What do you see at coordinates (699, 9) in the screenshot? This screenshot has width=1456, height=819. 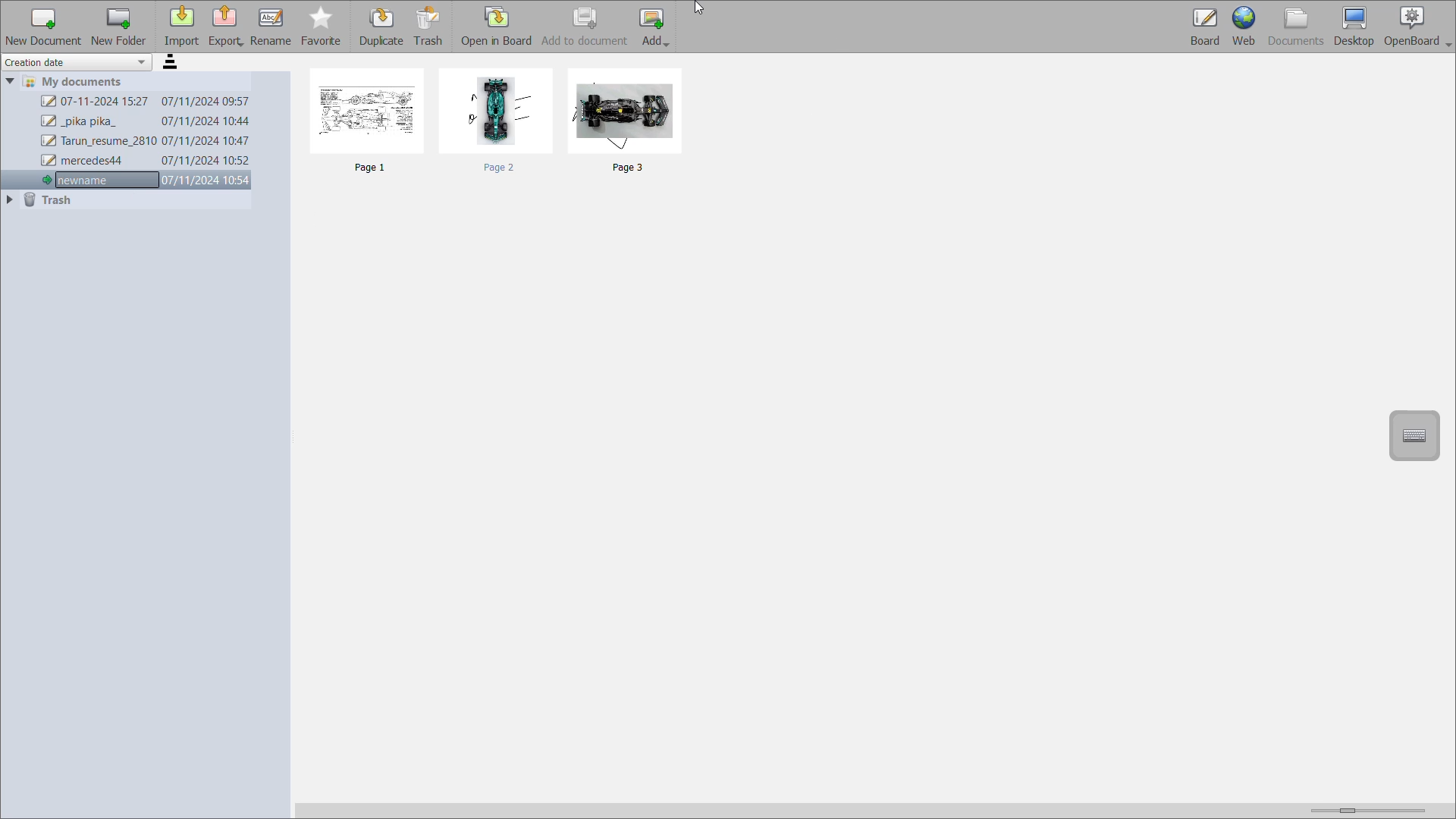 I see `cursor` at bounding box center [699, 9].